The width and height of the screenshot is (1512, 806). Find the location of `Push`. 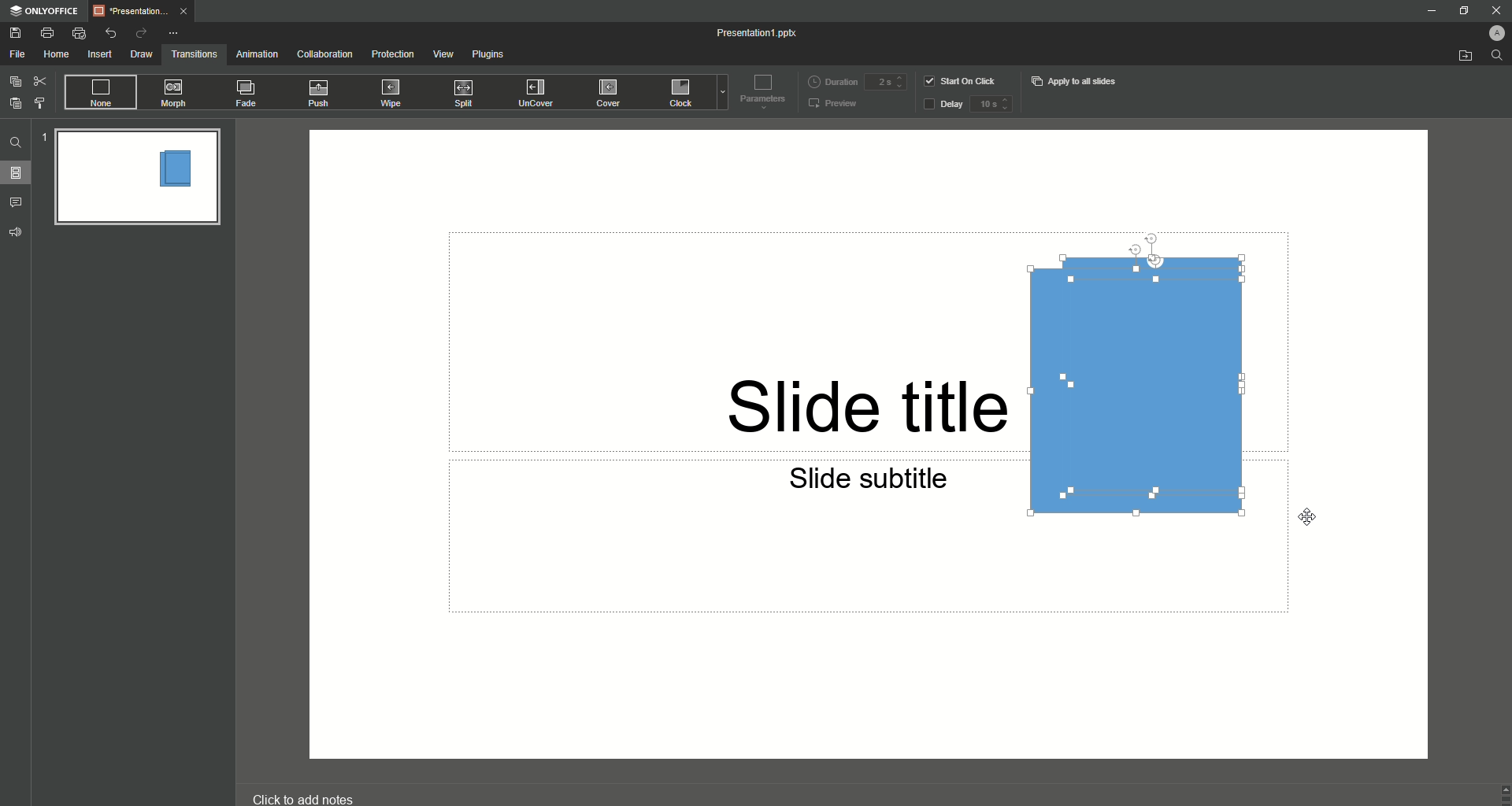

Push is located at coordinates (321, 94).